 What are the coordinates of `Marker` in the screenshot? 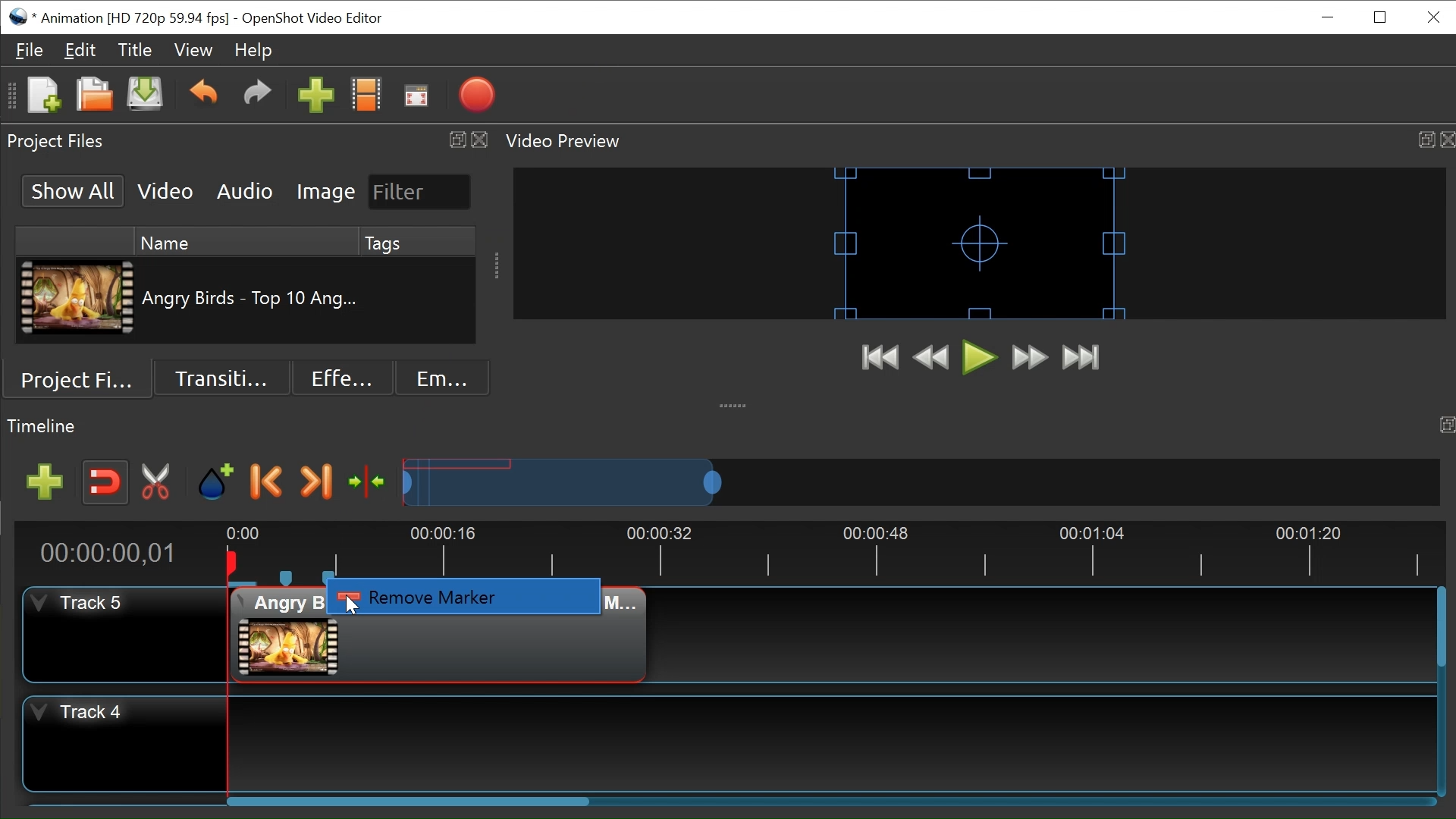 It's located at (287, 577).